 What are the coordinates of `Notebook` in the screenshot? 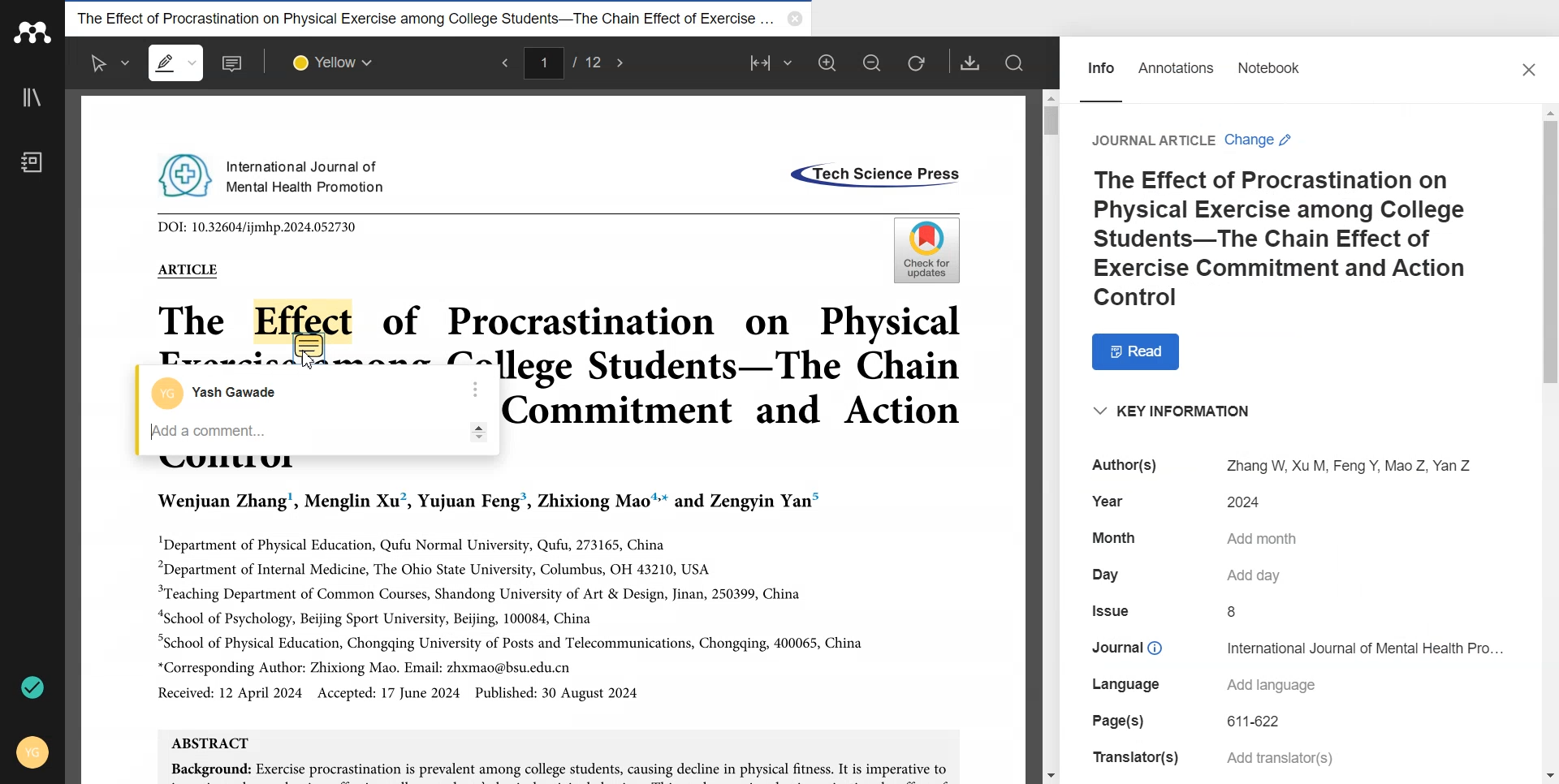 It's located at (32, 162).